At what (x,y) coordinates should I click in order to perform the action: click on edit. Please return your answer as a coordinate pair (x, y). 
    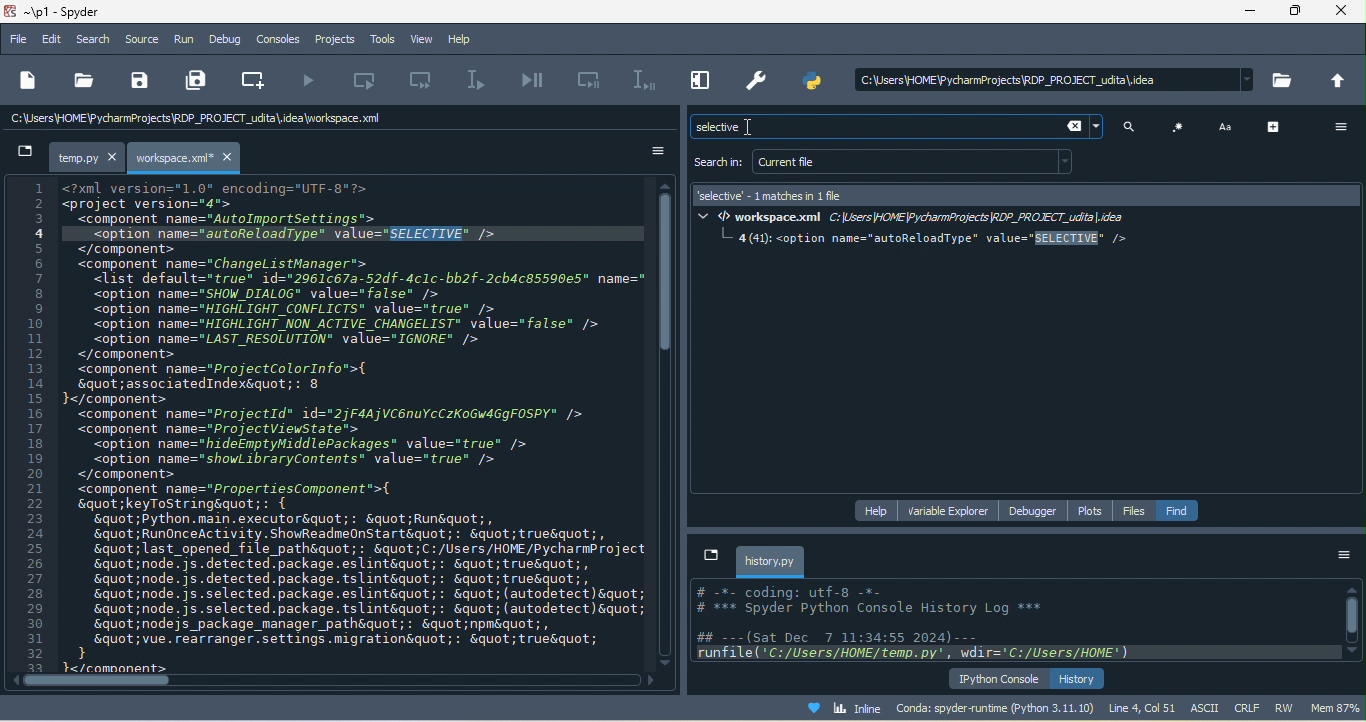
    Looking at the image, I should click on (53, 39).